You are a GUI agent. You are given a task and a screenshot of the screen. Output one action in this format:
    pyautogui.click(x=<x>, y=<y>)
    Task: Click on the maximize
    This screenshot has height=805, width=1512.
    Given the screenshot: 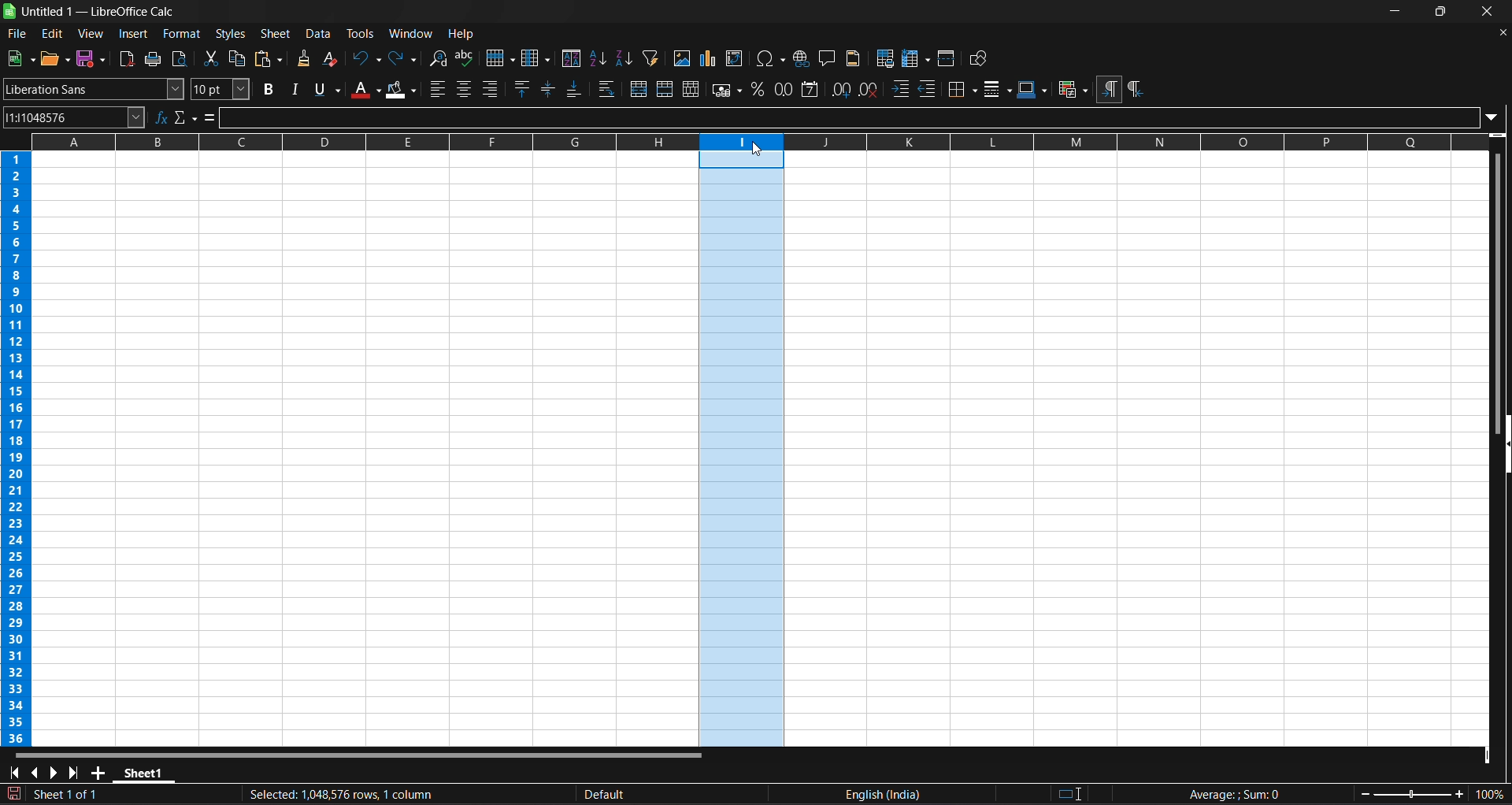 What is the action you would take?
    pyautogui.click(x=1439, y=13)
    